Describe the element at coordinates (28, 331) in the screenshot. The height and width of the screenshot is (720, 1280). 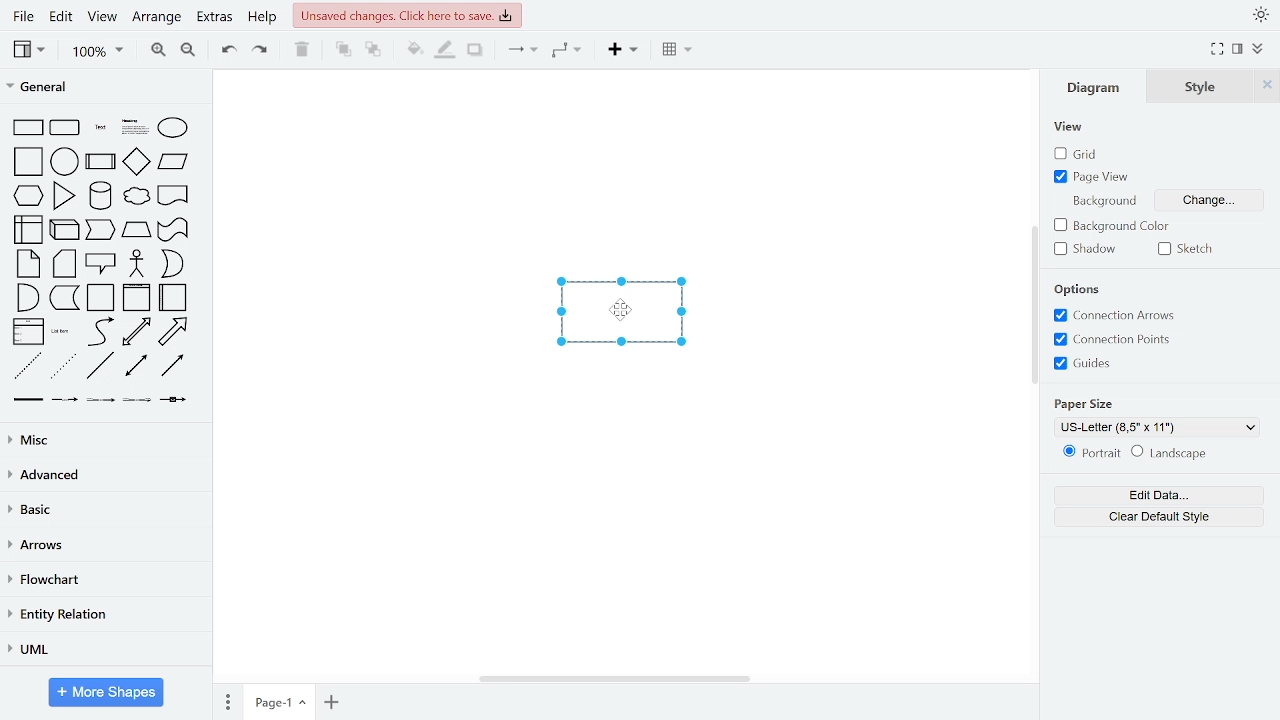
I see `general shapes` at that location.